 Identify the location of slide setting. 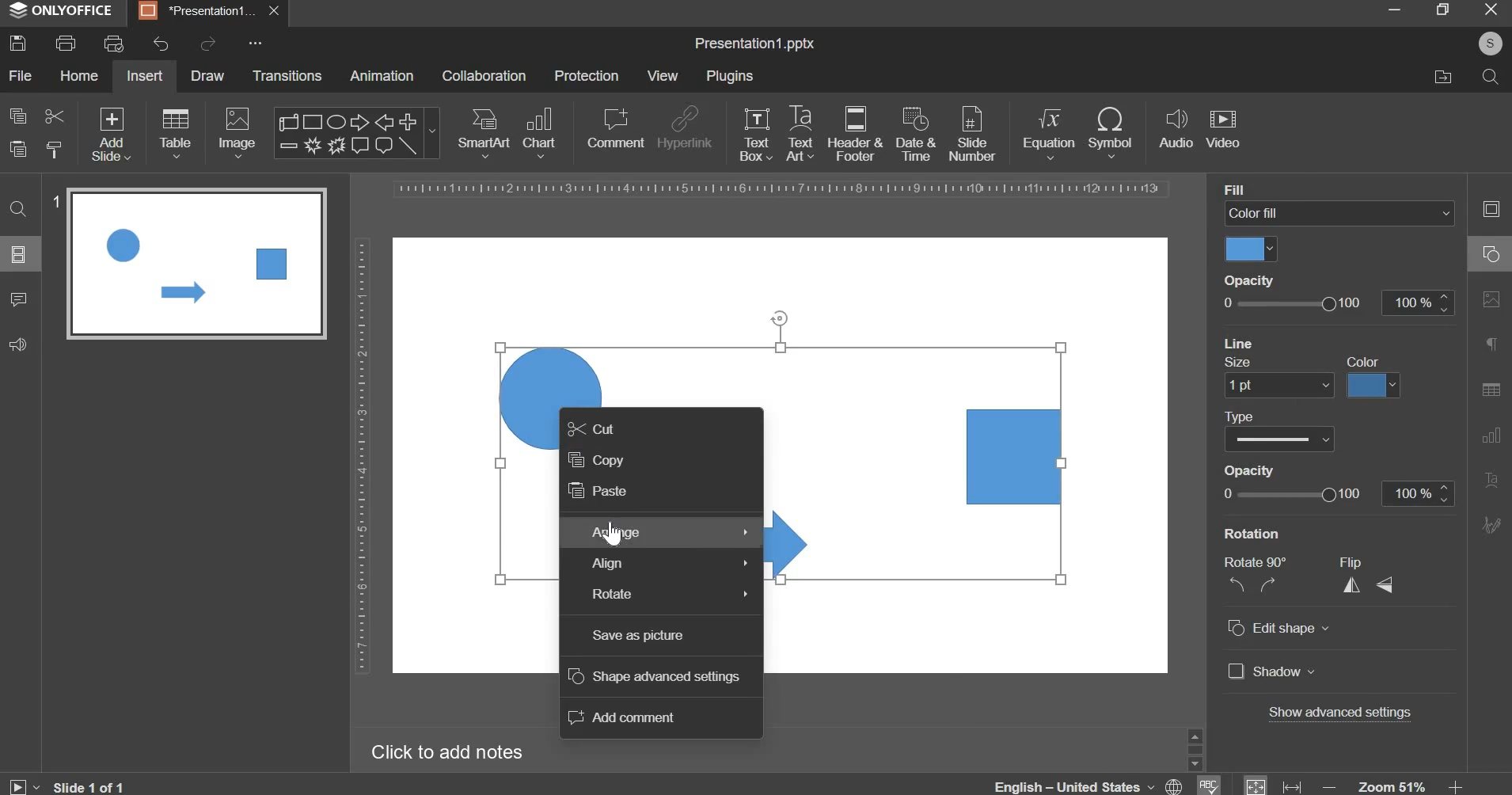
(1490, 208).